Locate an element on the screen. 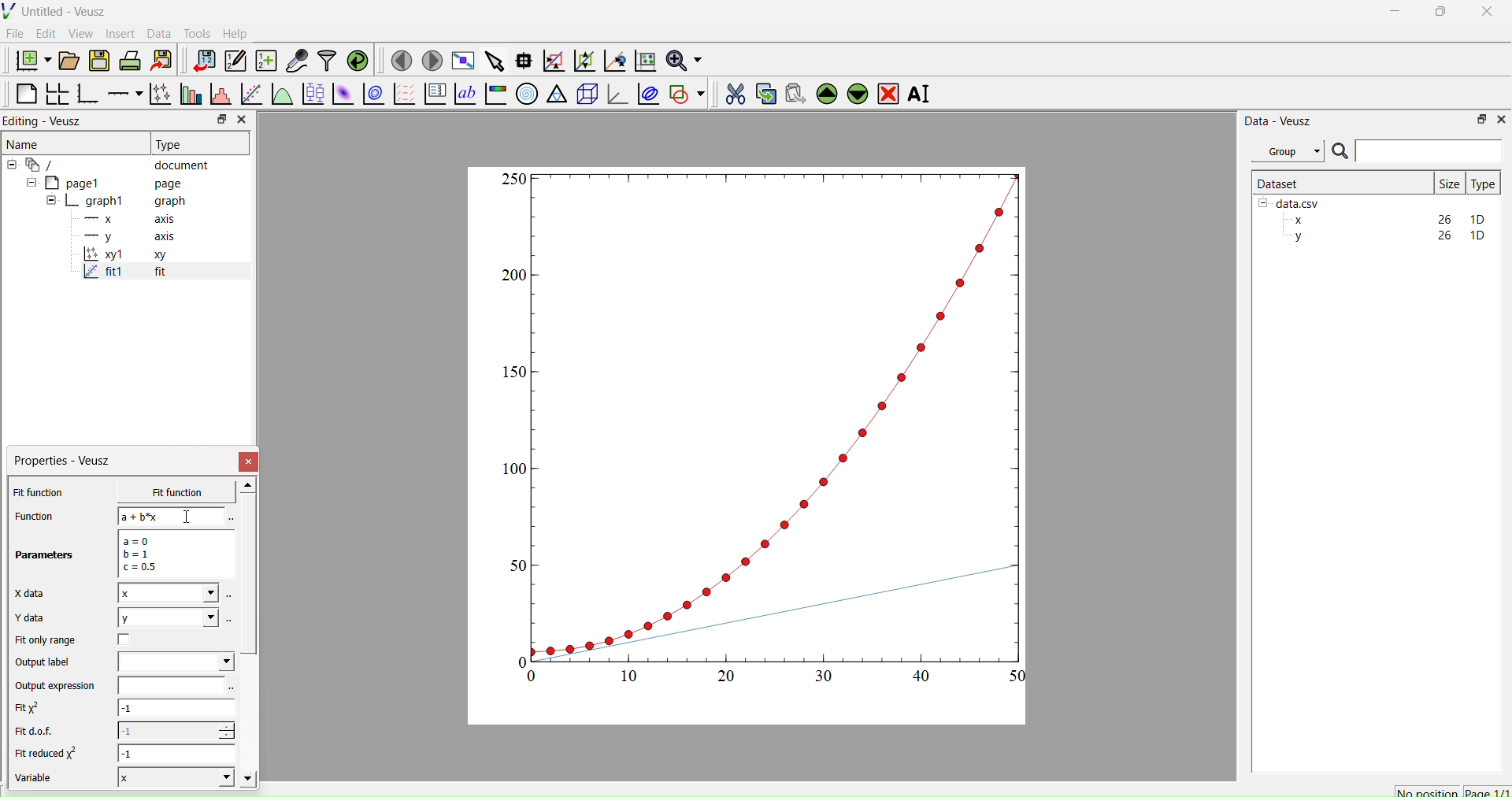 The height and width of the screenshot is (797, 1512). Plot points with lines and errorbars is located at coordinates (158, 94).